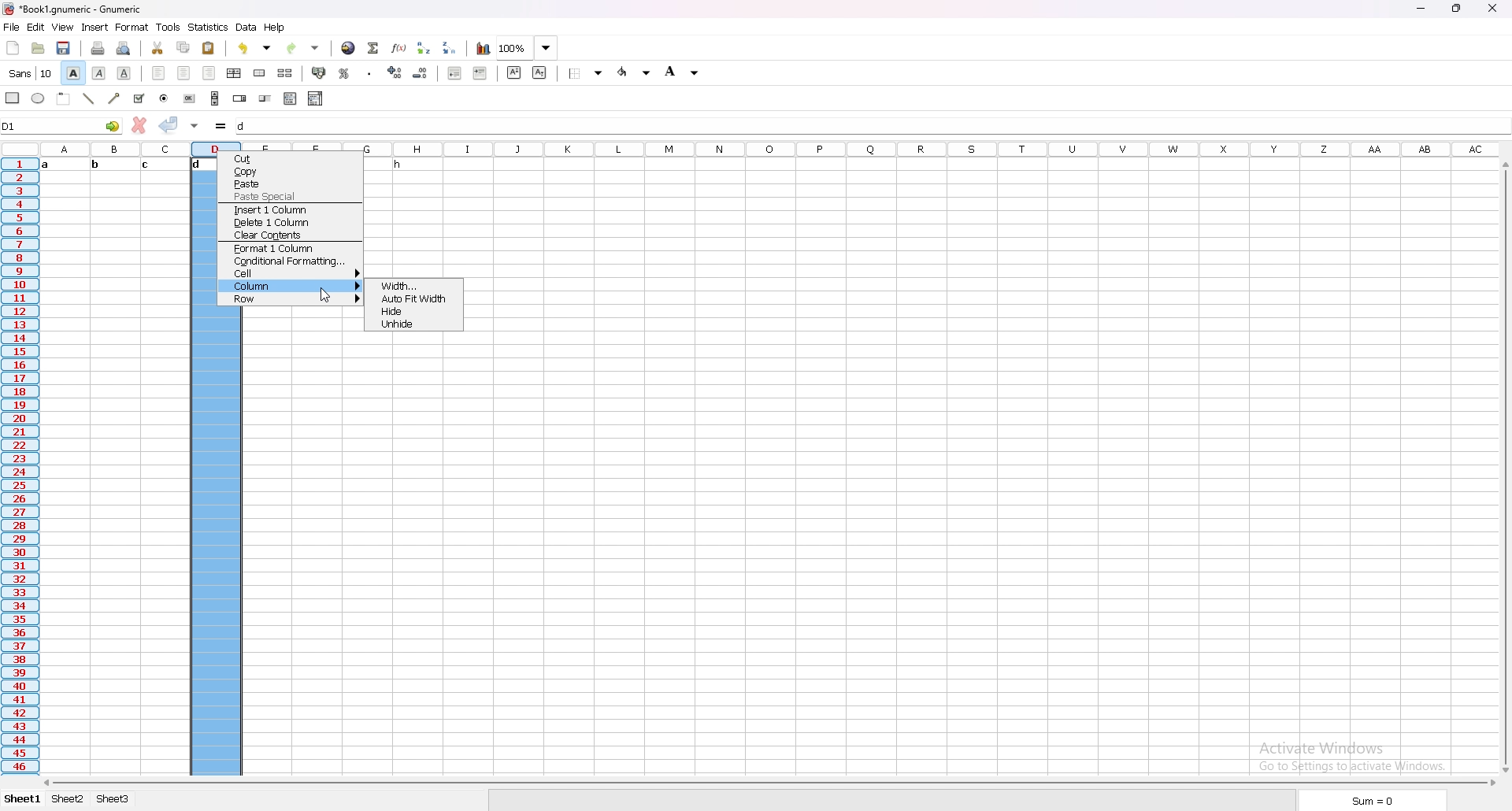 This screenshot has width=1512, height=811. Describe the element at coordinates (196, 127) in the screenshot. I see `accept changes in all cells` at that location.